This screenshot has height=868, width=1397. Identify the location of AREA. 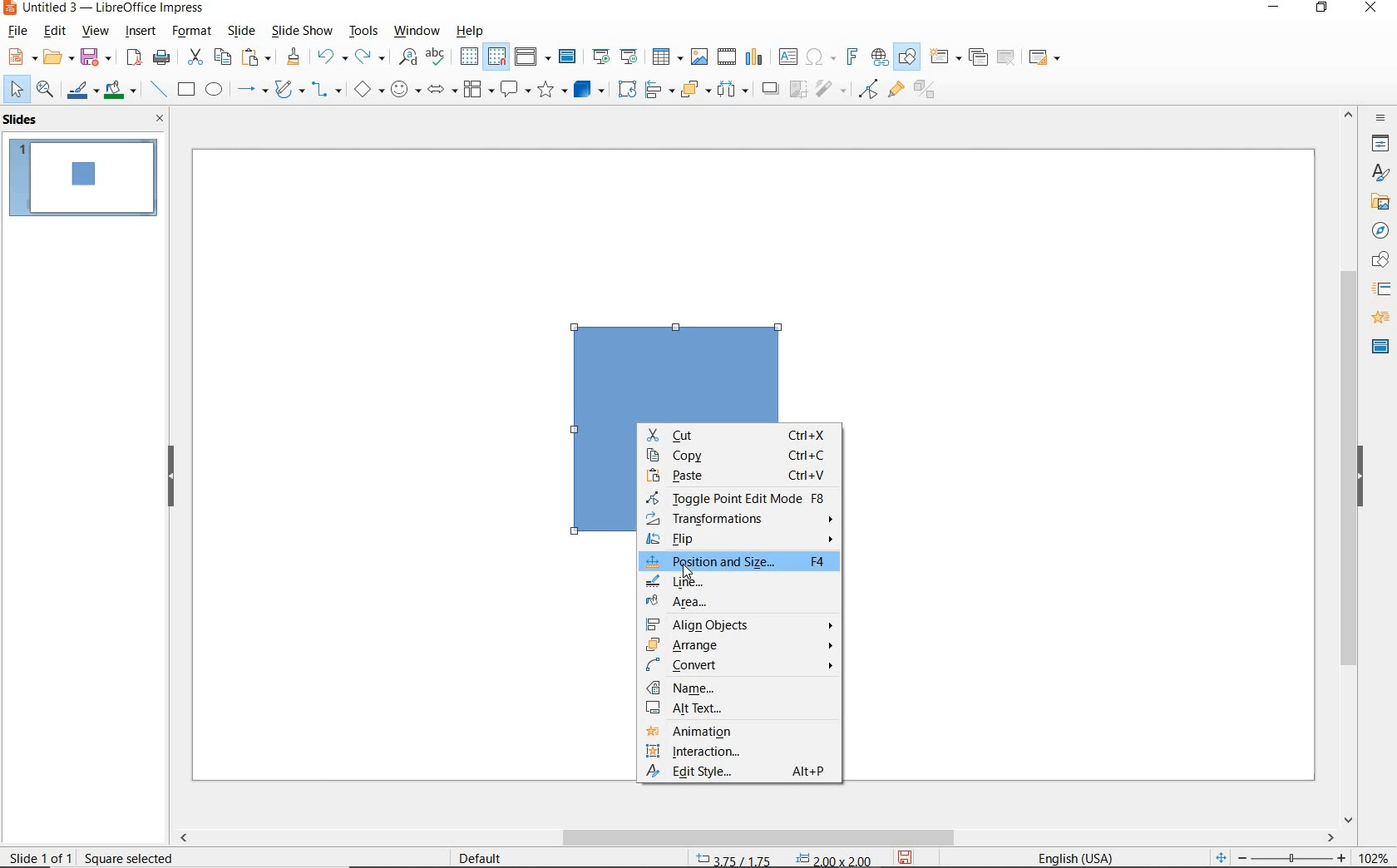
(738, 604).